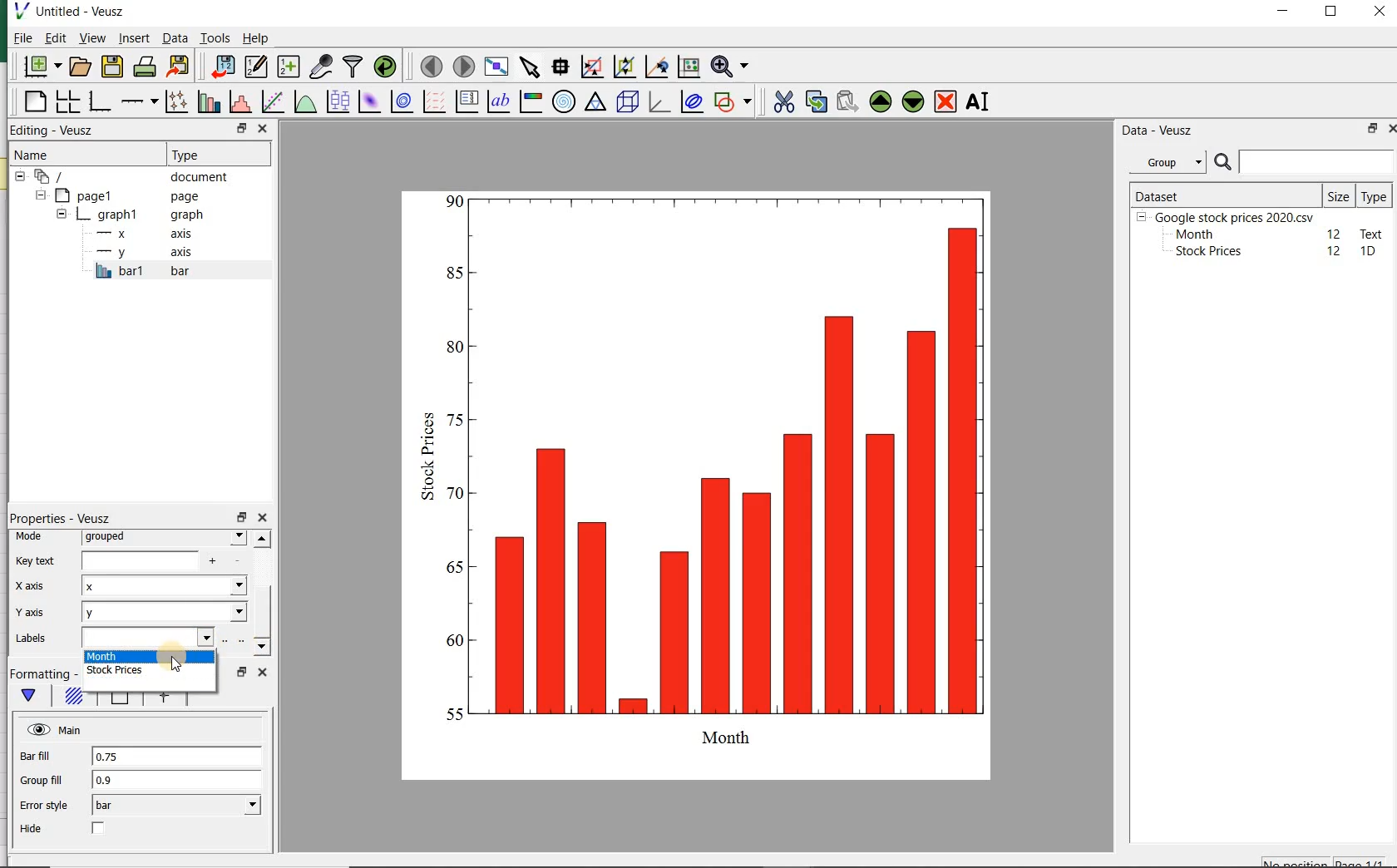  Describe the element at coordinates (32, 587) in the screenshot. I see `x-axis` at that location.